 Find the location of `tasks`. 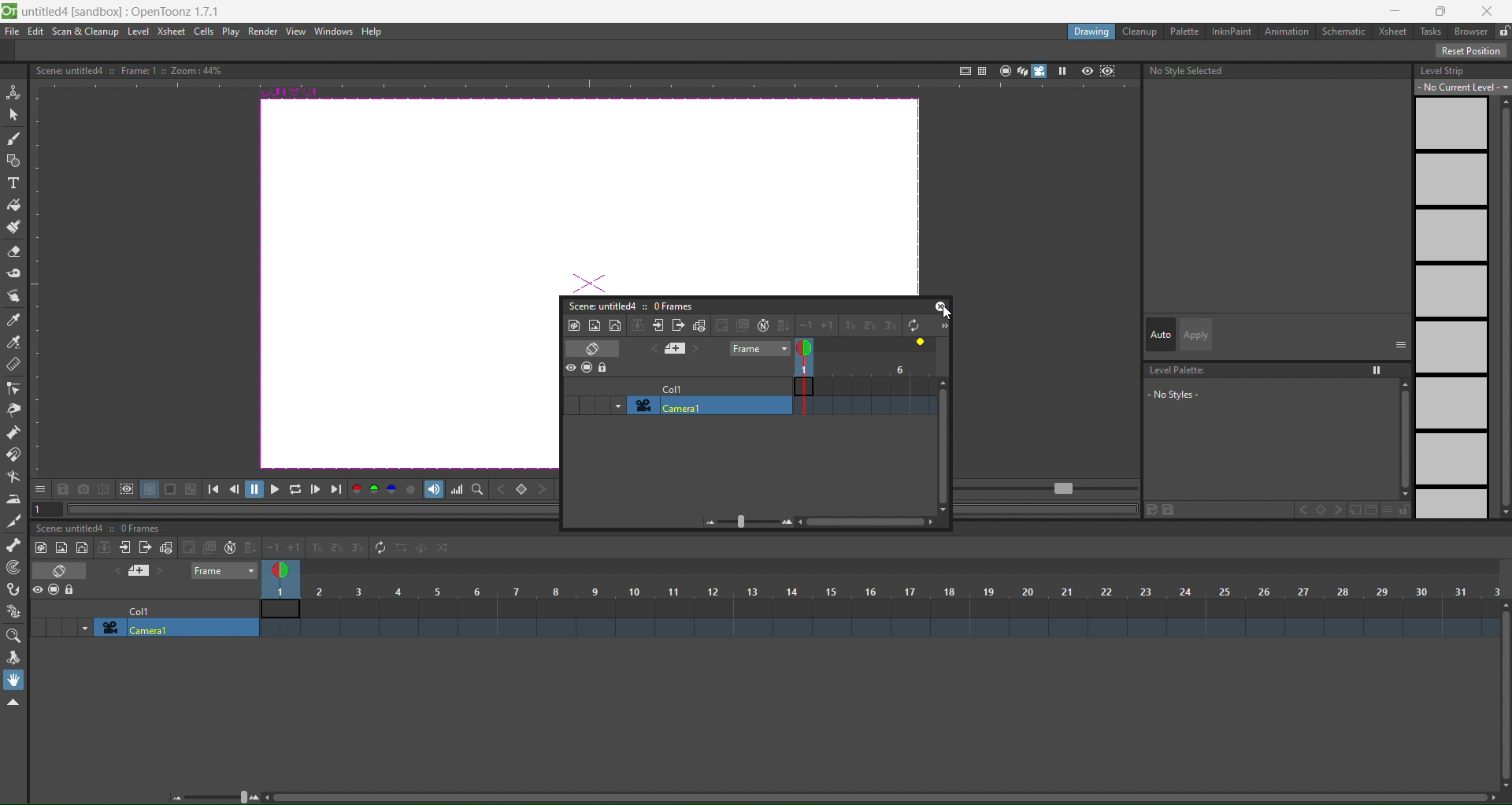

tasks is located at coordinates (1433, 31).